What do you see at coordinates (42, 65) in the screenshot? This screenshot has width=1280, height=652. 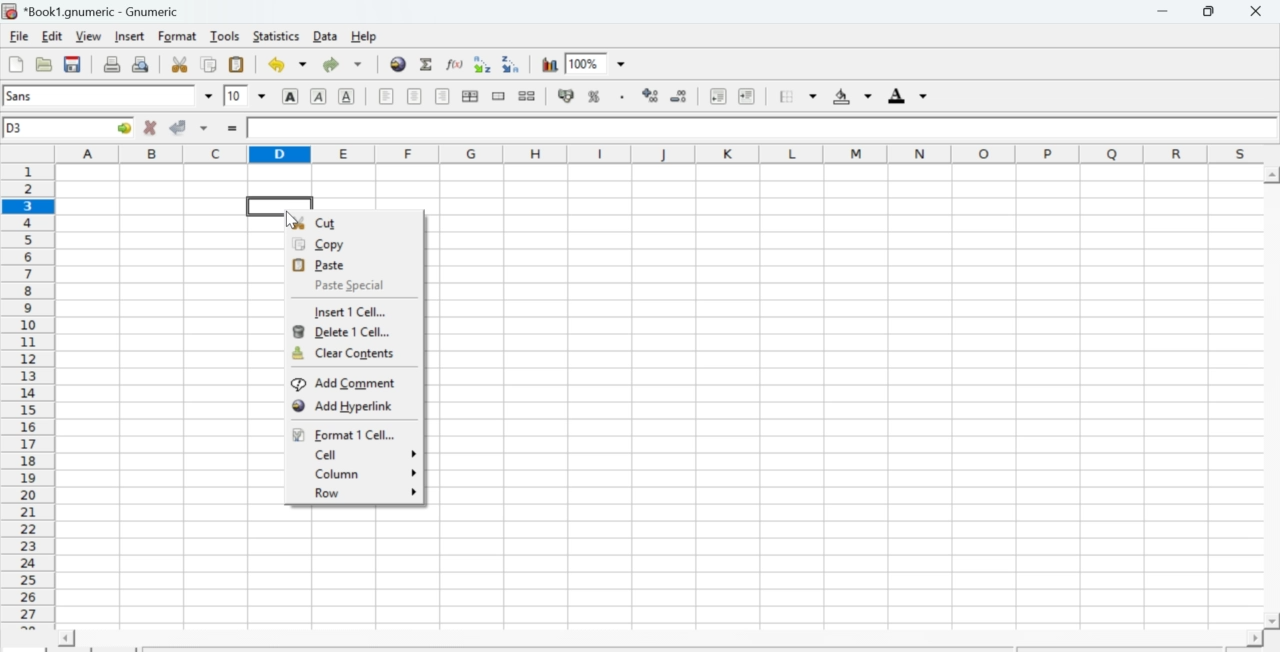 I see `Open a file` at bounding box center [42, 65].